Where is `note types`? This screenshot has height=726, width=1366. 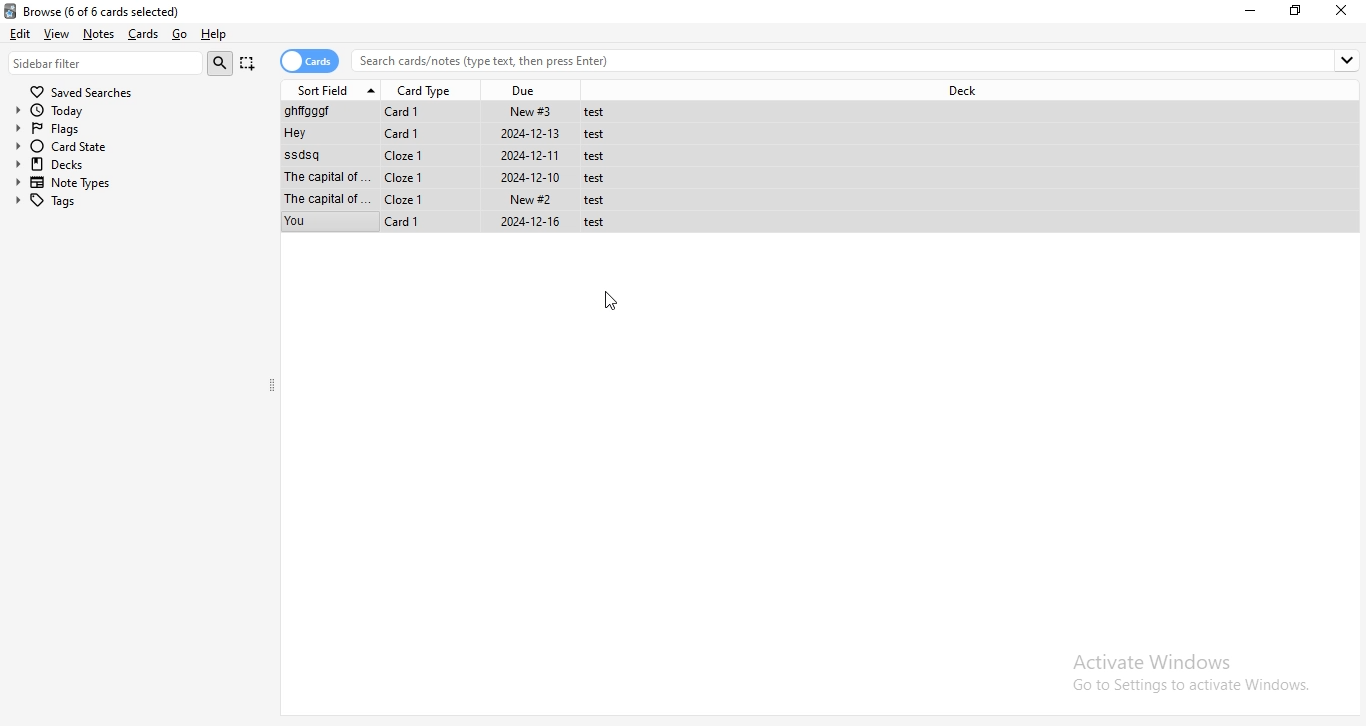
note types is located at coordinates (136, 183).